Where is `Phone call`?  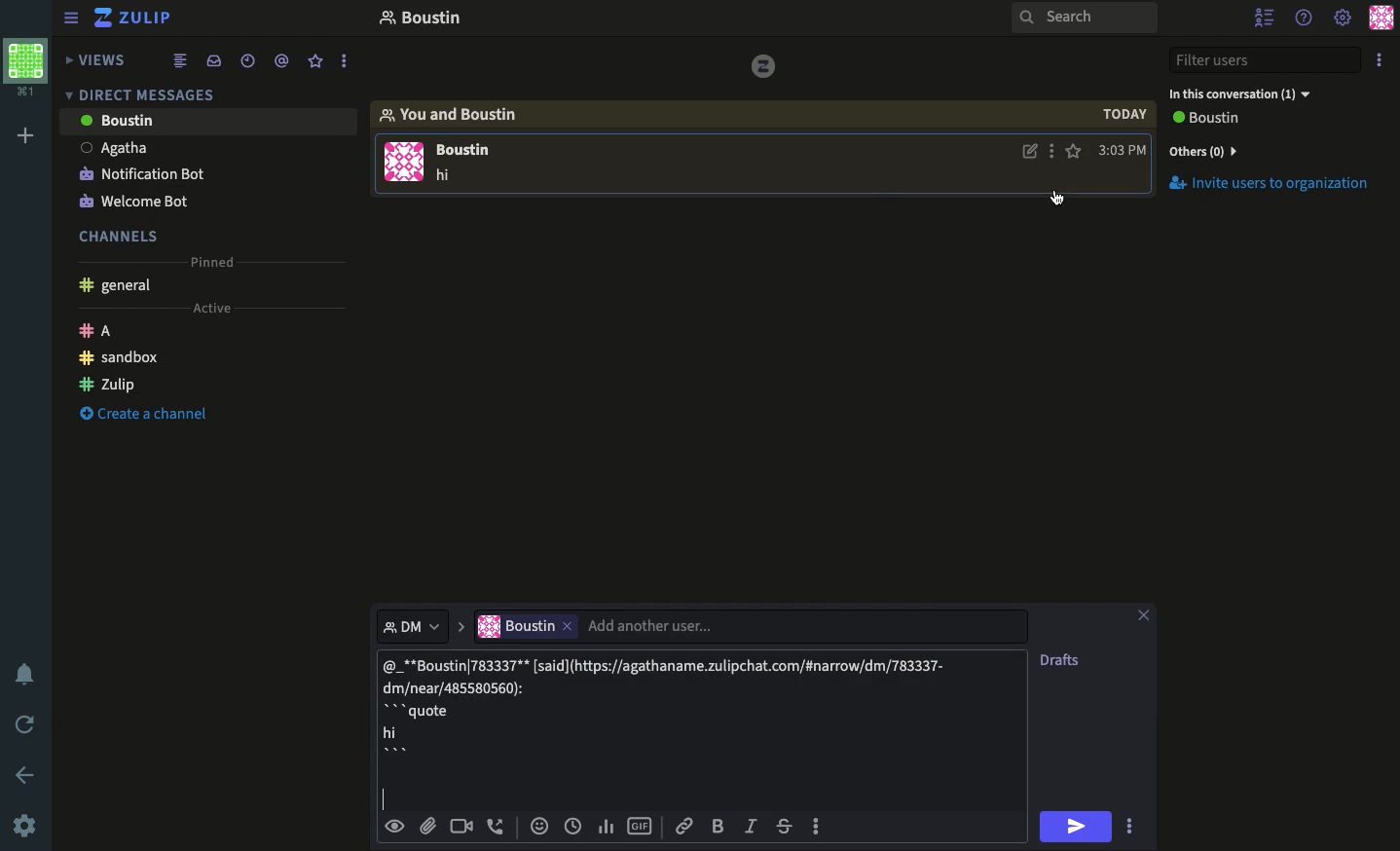 Phone call is located at coordinates (500, 827).